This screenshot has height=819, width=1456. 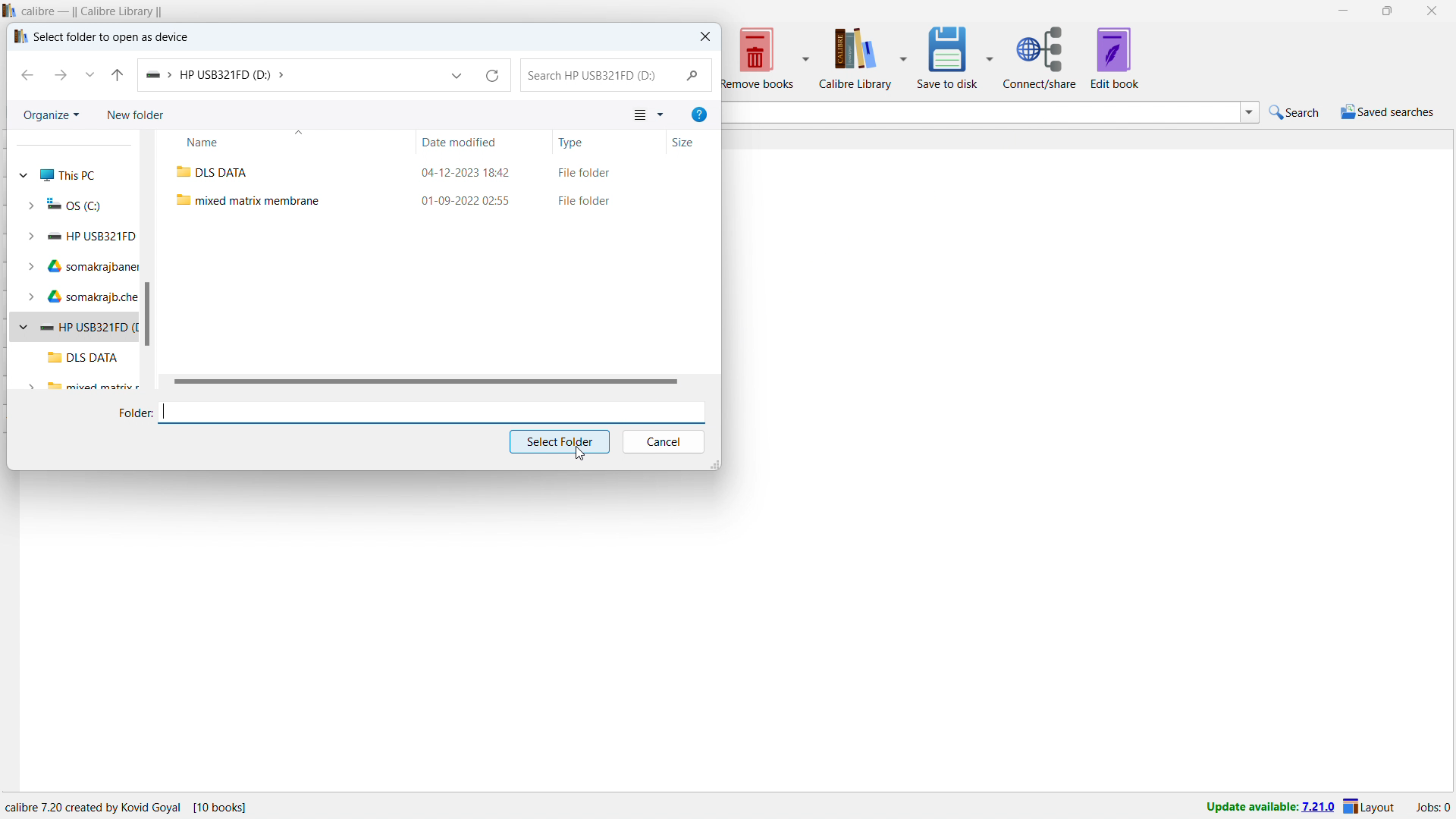 What do you see at coordinates (904, 58) in the screenshot?
I see `calibre library options` at bounding box center [904, 58].